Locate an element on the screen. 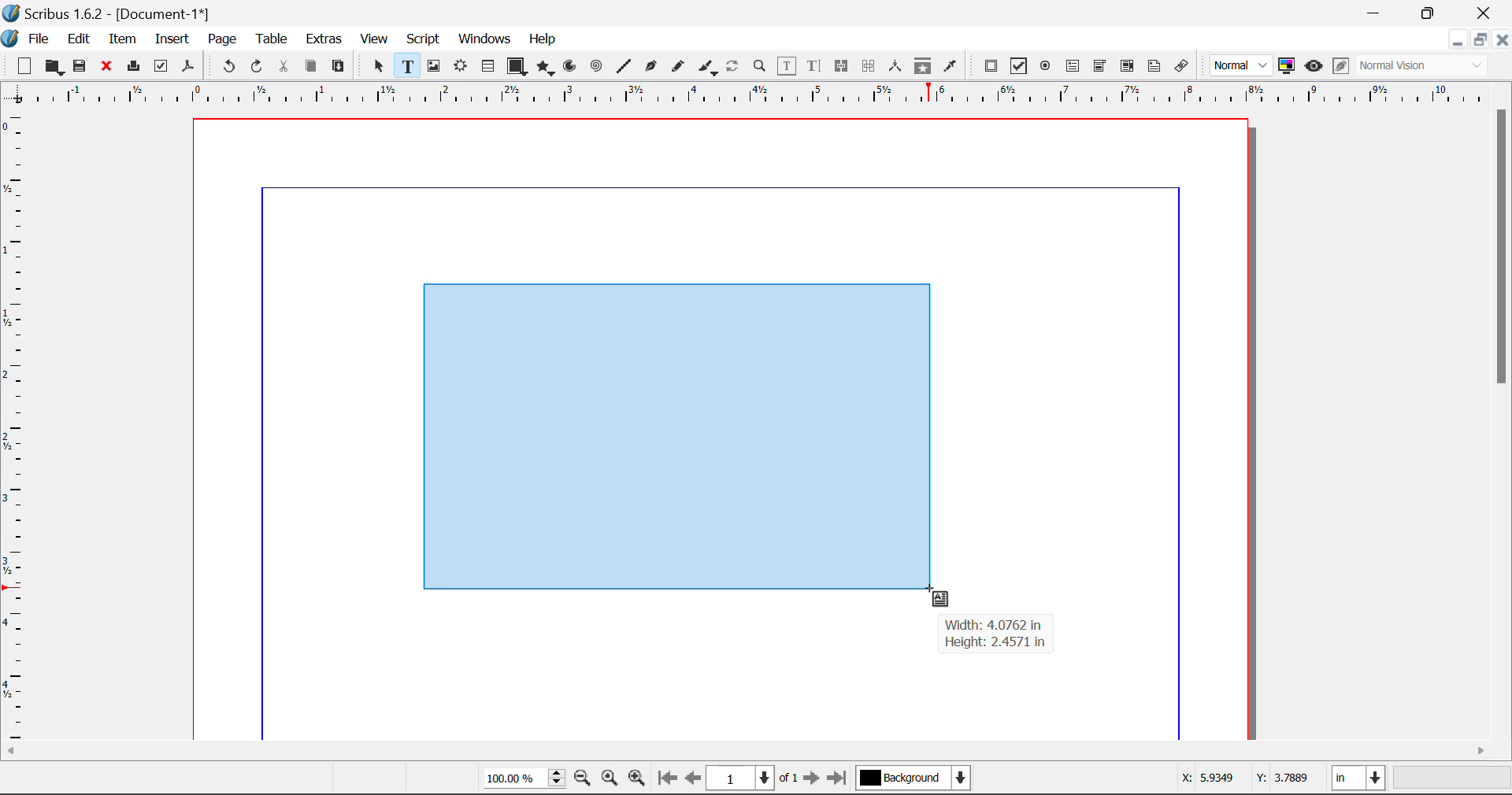  Close is located at coordinates (1503, 39).